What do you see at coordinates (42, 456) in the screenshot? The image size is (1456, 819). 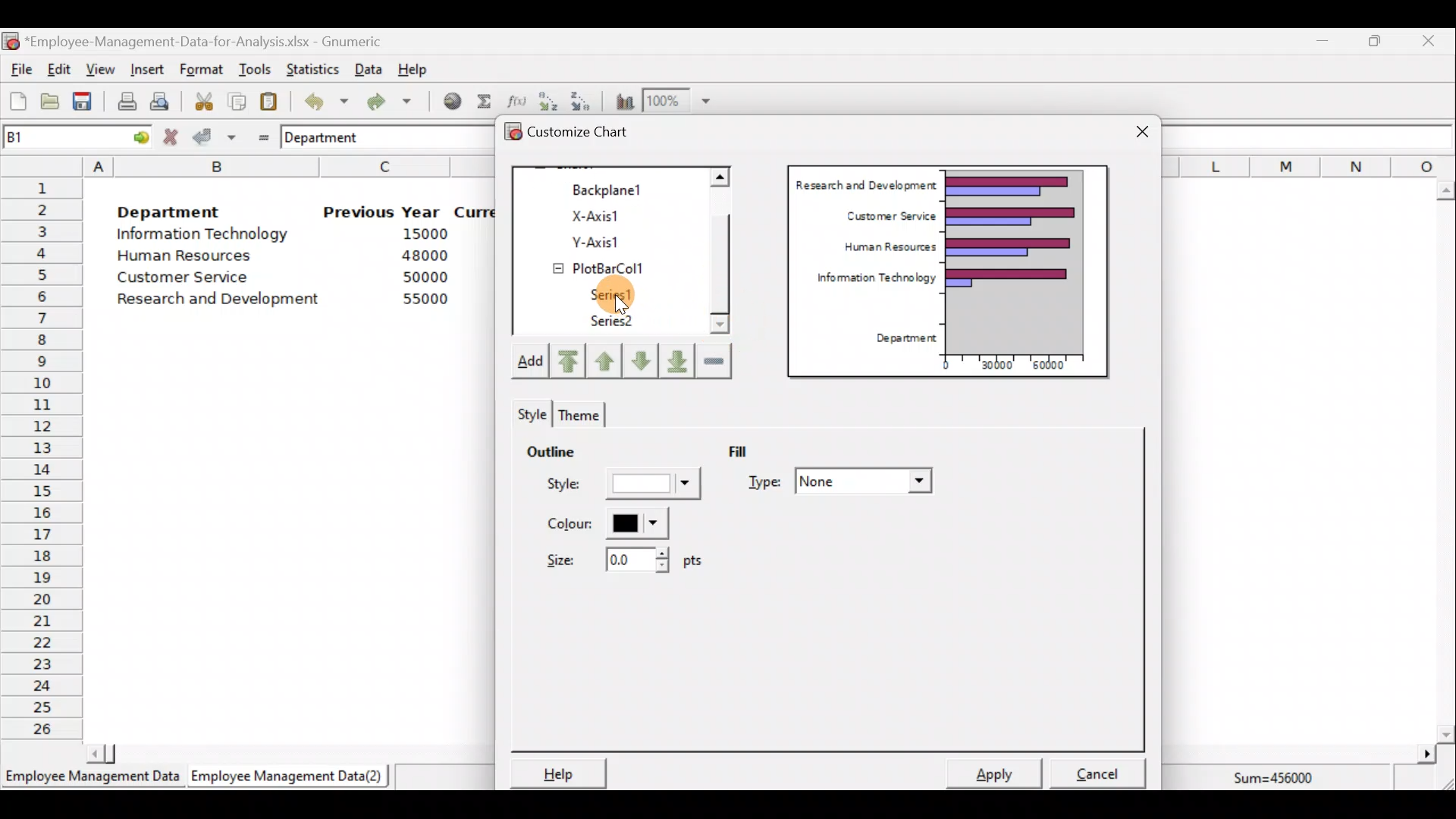 I see `Rows` at bounding box center [42, 456].